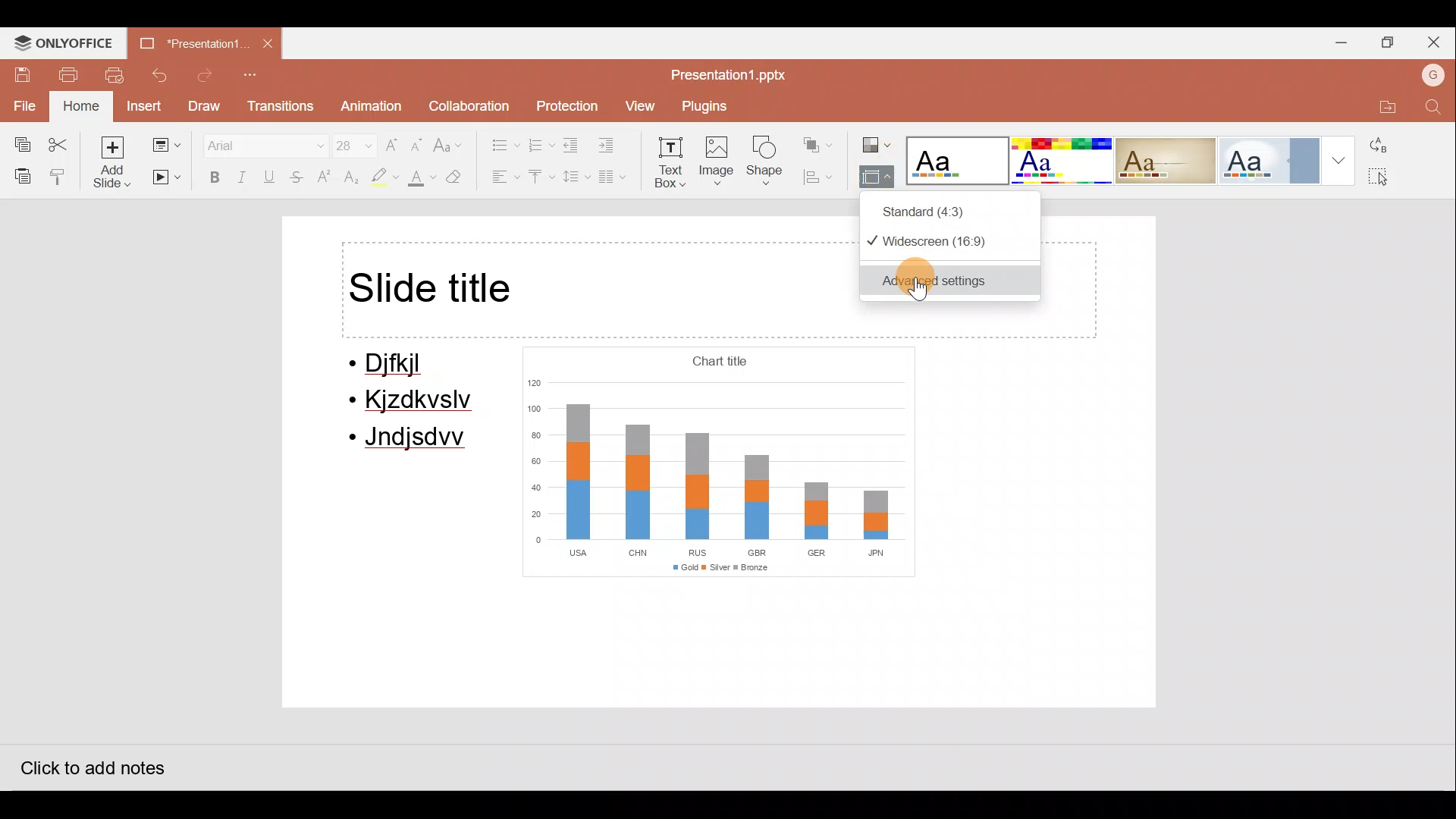  Describe the element at coordinates (167, 178) in the screenshot. I see `Start slideshow` at that location.